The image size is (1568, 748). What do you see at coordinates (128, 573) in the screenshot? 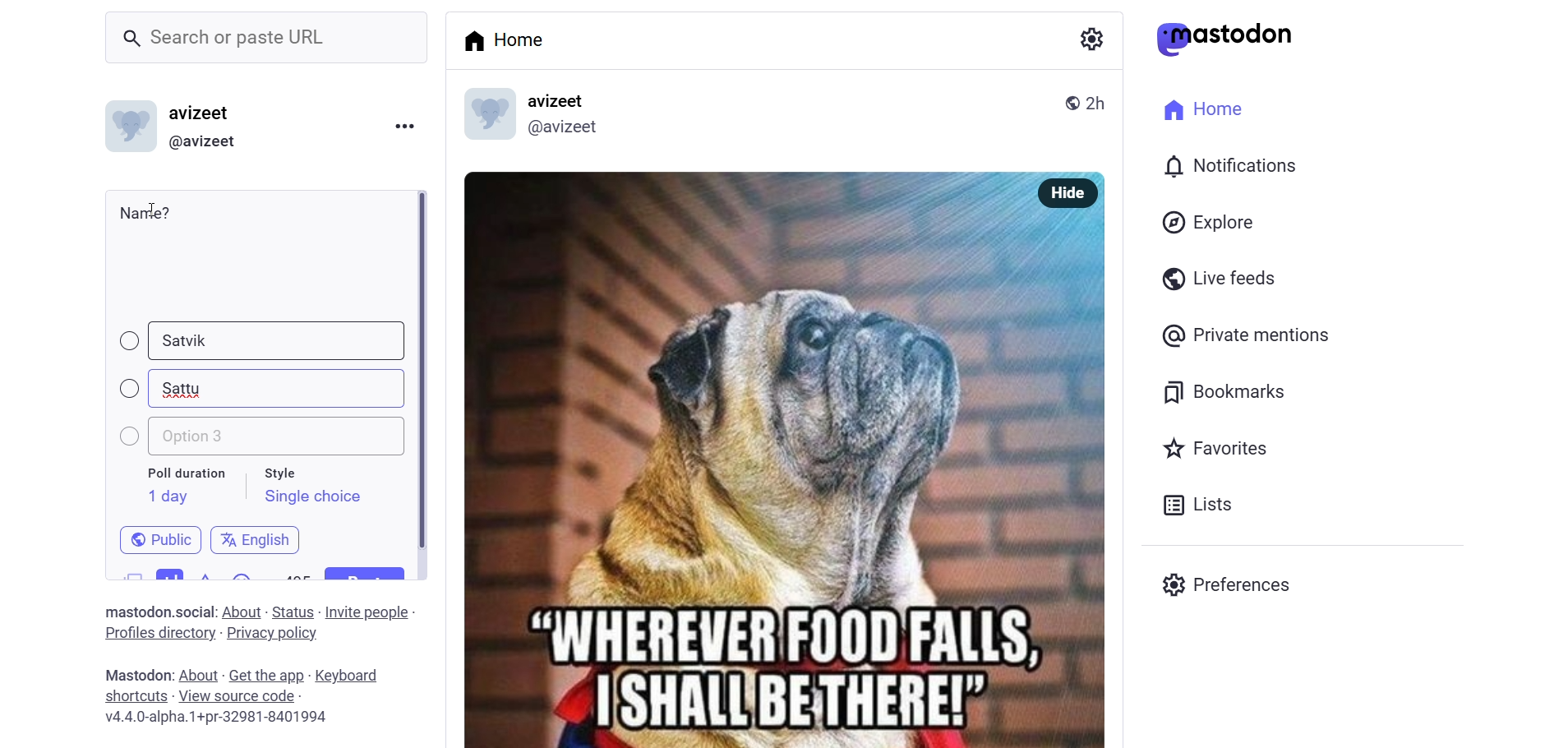
I see `image/video` at bounding box center [128, 573].